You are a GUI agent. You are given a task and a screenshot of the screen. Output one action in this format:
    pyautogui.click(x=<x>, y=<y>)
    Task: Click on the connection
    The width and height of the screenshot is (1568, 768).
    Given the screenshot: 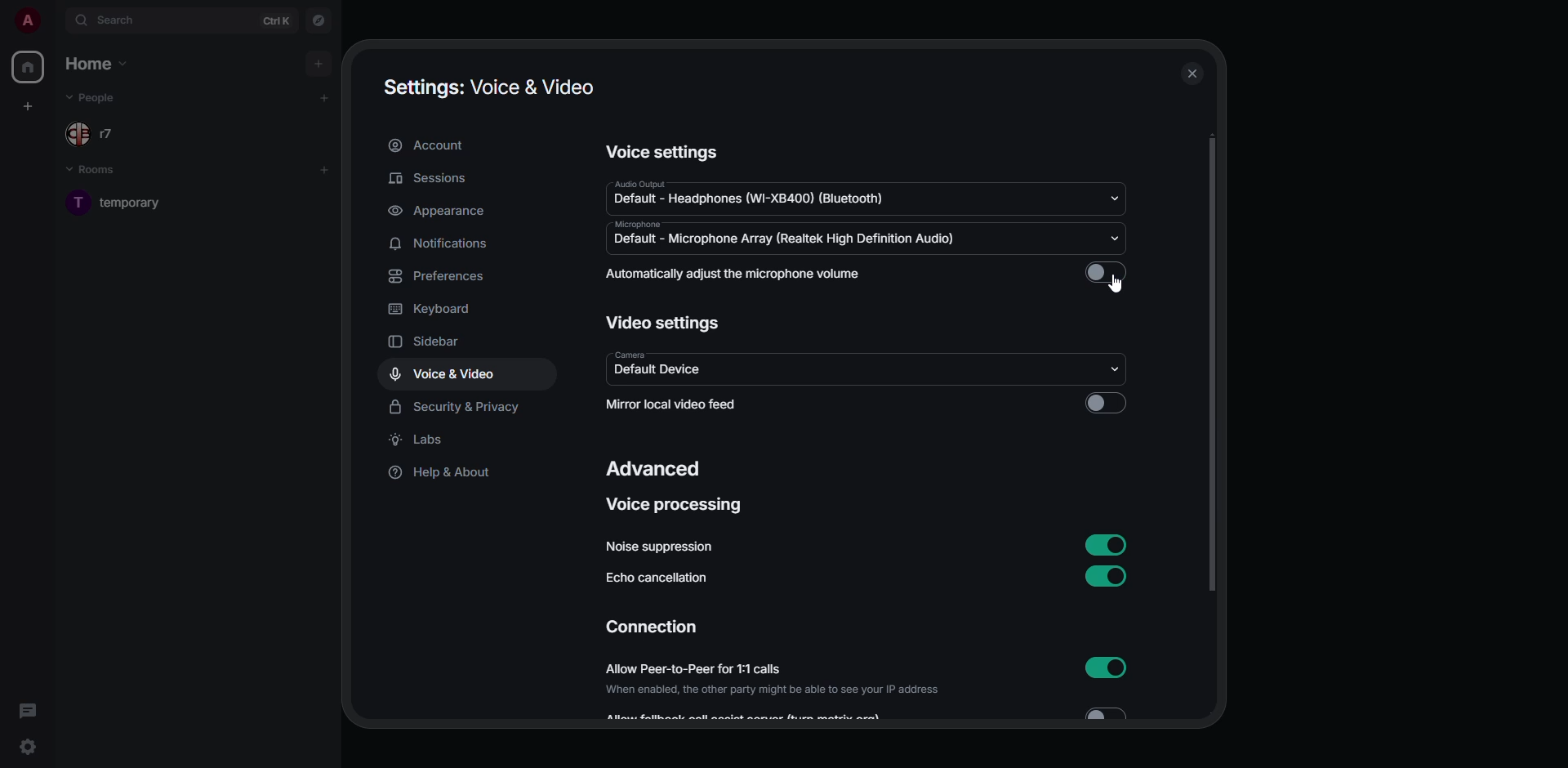 What is the action you would take?
    pyautogui.click(x=652, y=627)
    